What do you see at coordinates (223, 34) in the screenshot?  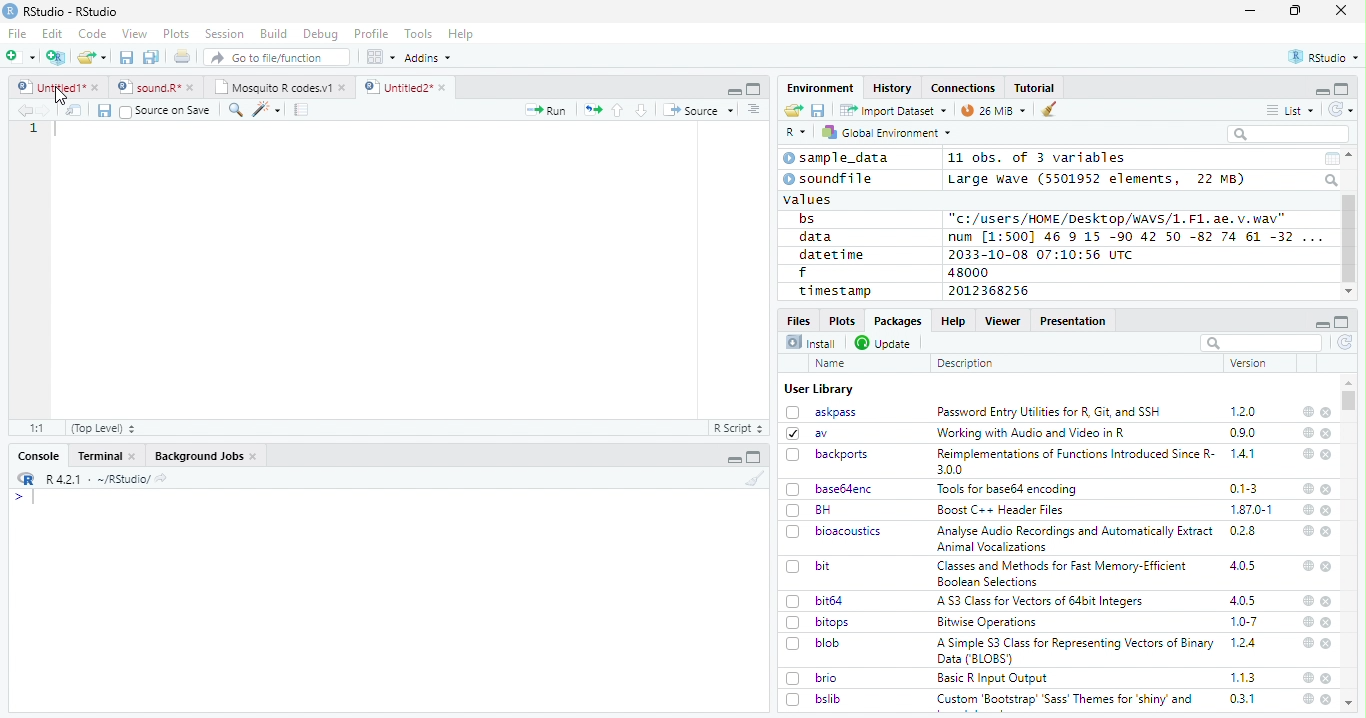 I see `Session` at bounding box center [223, 34].